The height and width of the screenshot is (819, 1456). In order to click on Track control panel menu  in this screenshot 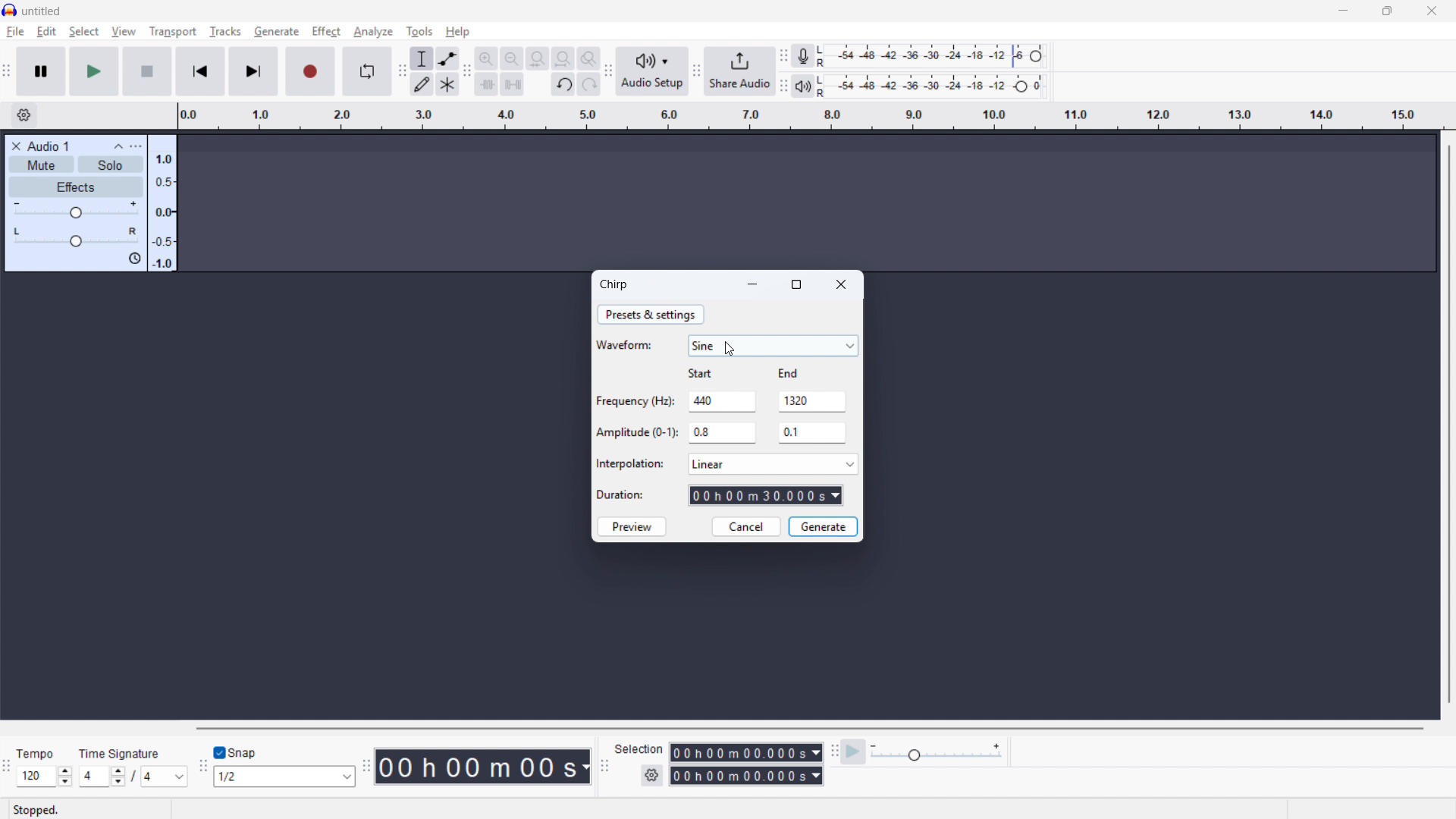, I will do `click(135, 146)`.